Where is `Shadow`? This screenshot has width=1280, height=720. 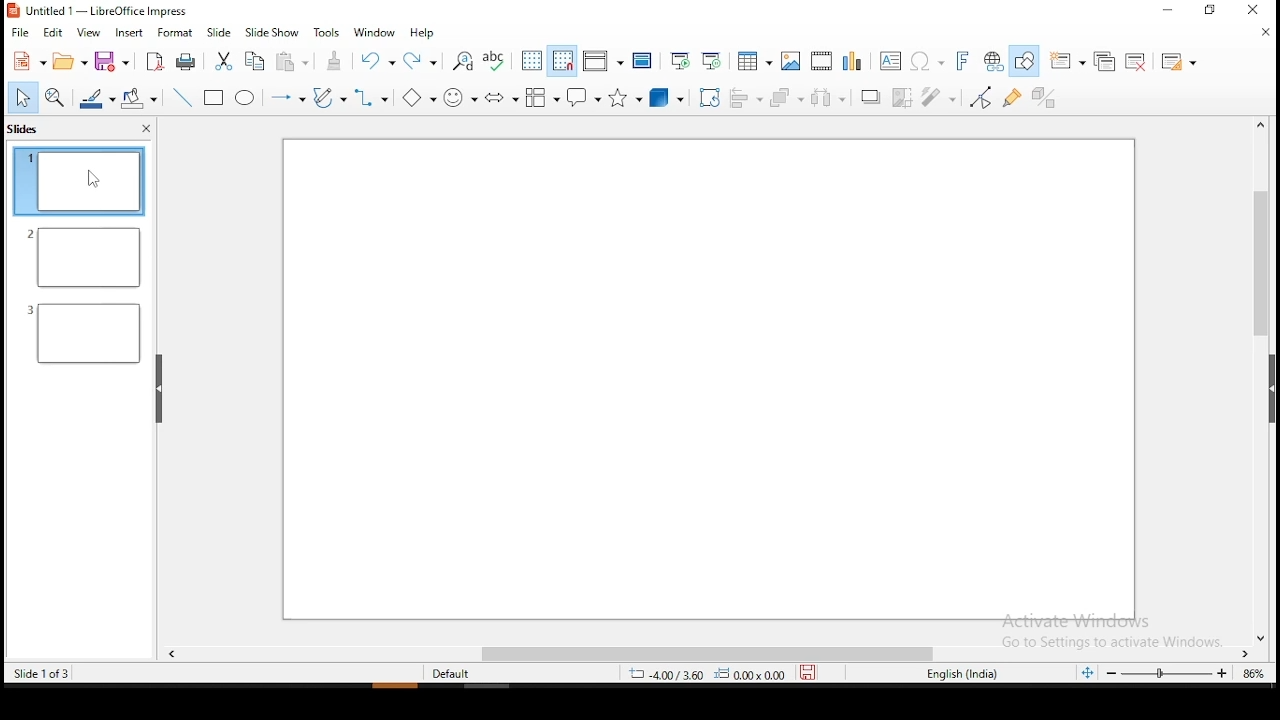 Shadow is located at coordinates (868, 98).